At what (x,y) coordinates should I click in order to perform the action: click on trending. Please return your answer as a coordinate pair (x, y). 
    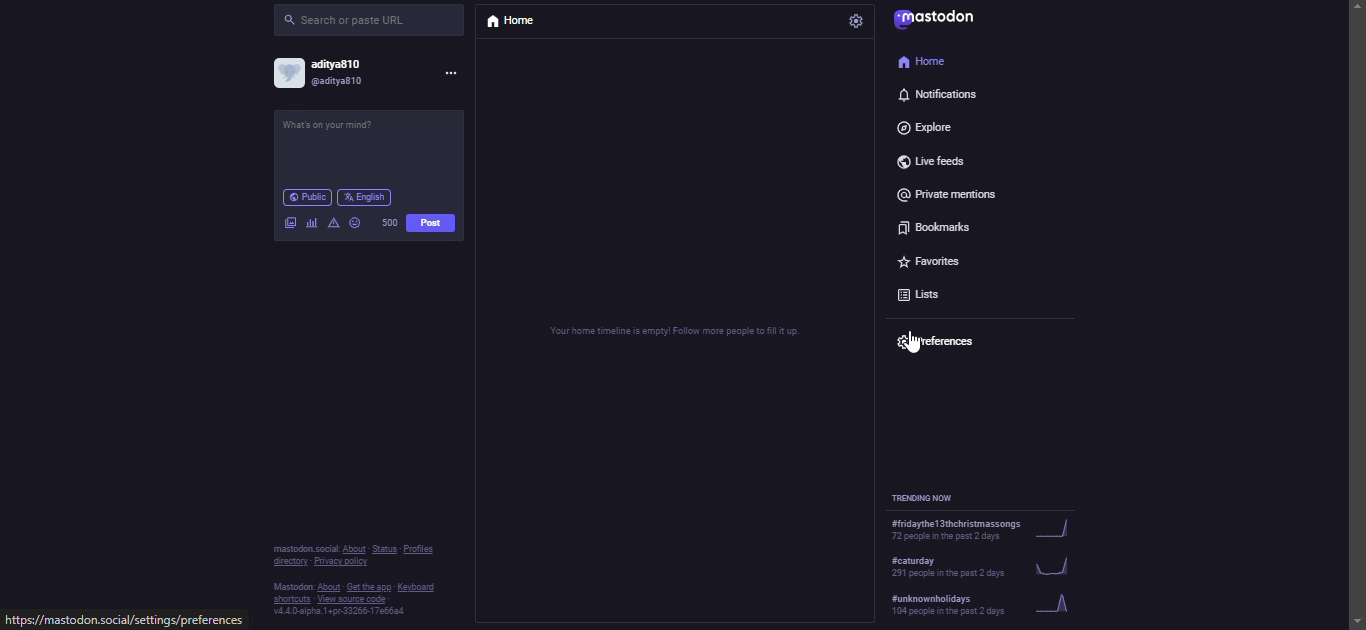
    Looking at the image, I should click on (991, 564).